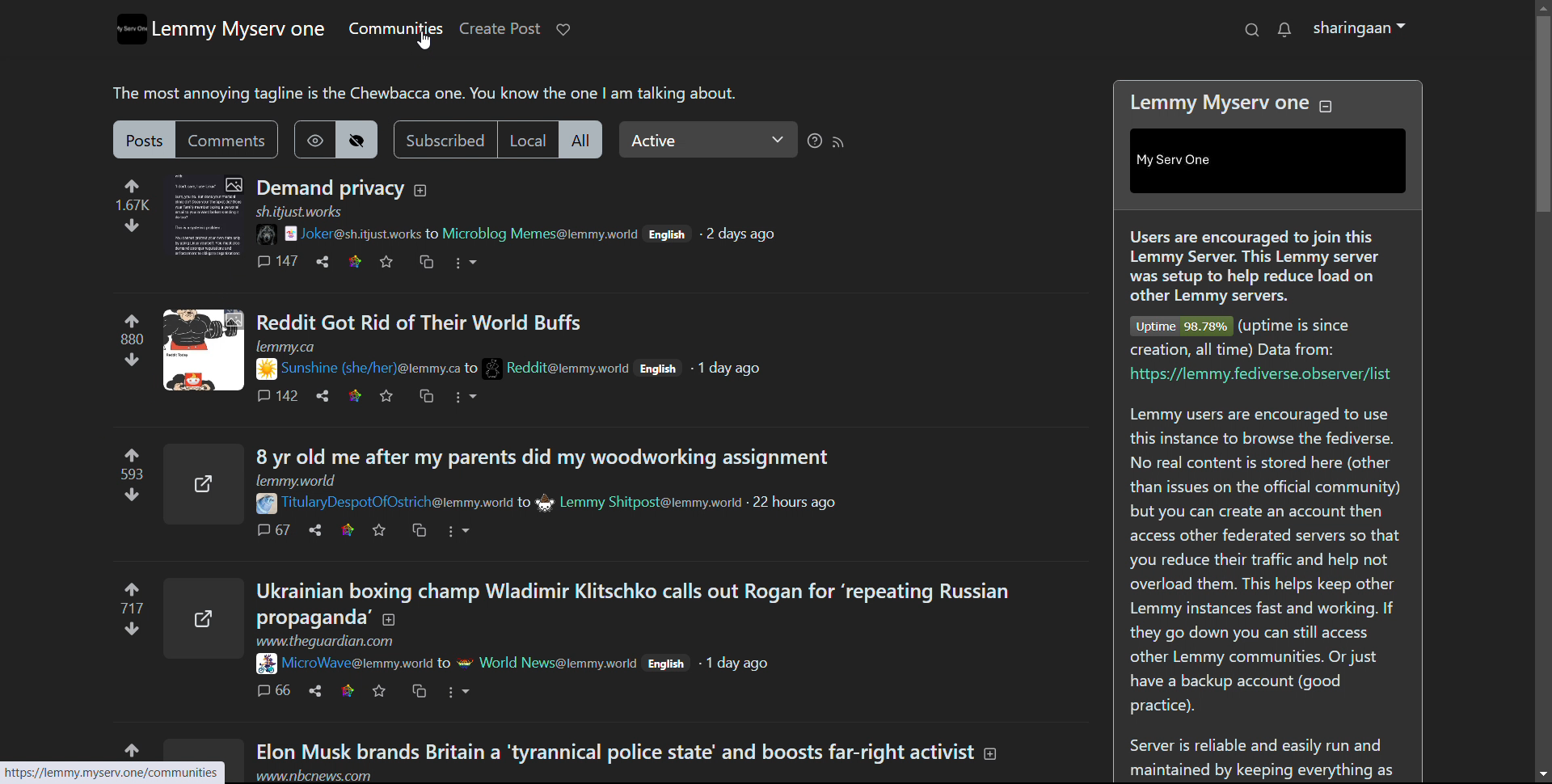  What do you see at coordinates (357, 139) in the screenshot?
I see `hide hidden posts` at bounding box center [357, 139].